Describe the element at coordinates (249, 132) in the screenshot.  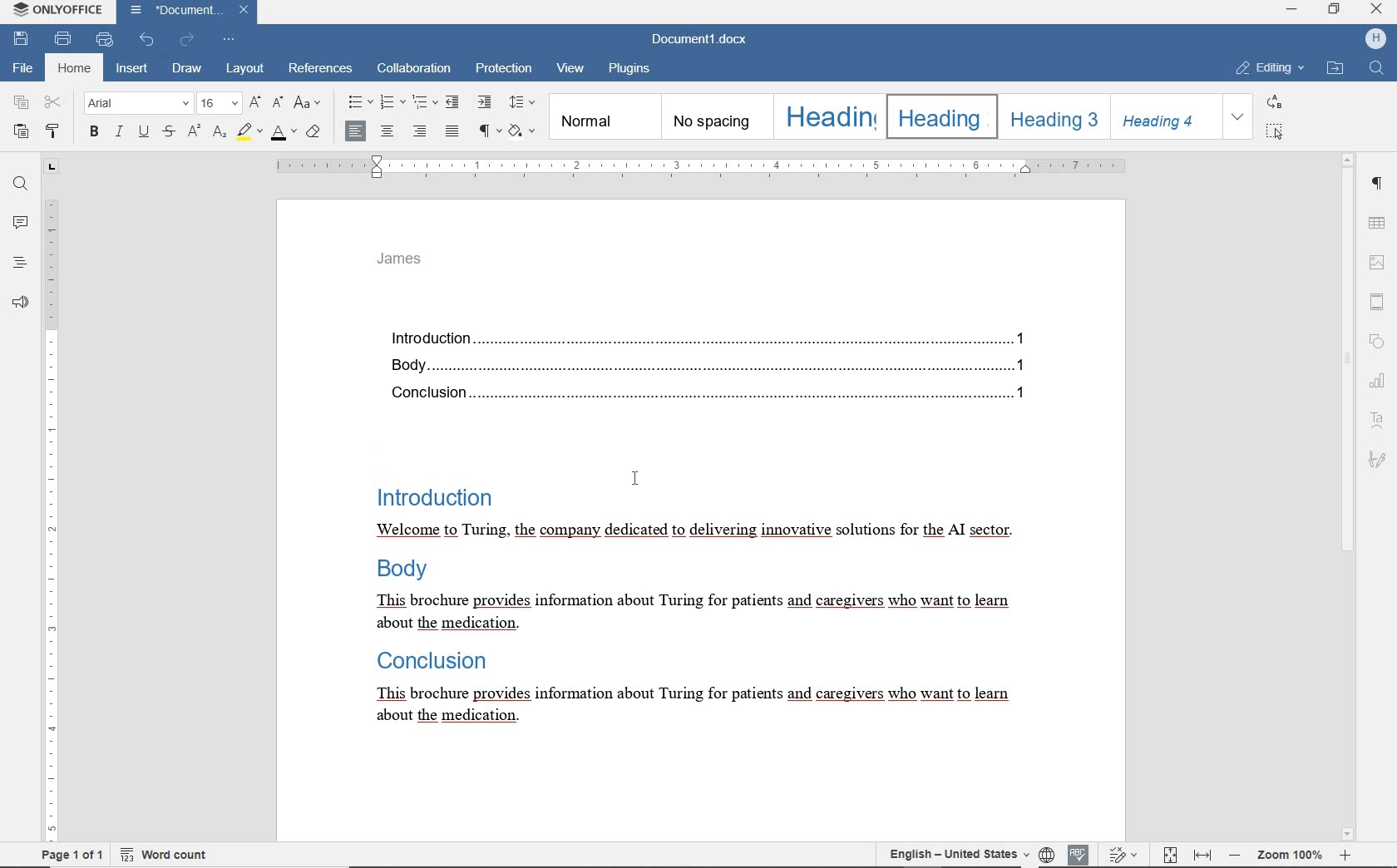
I see `highlight color` at that location.